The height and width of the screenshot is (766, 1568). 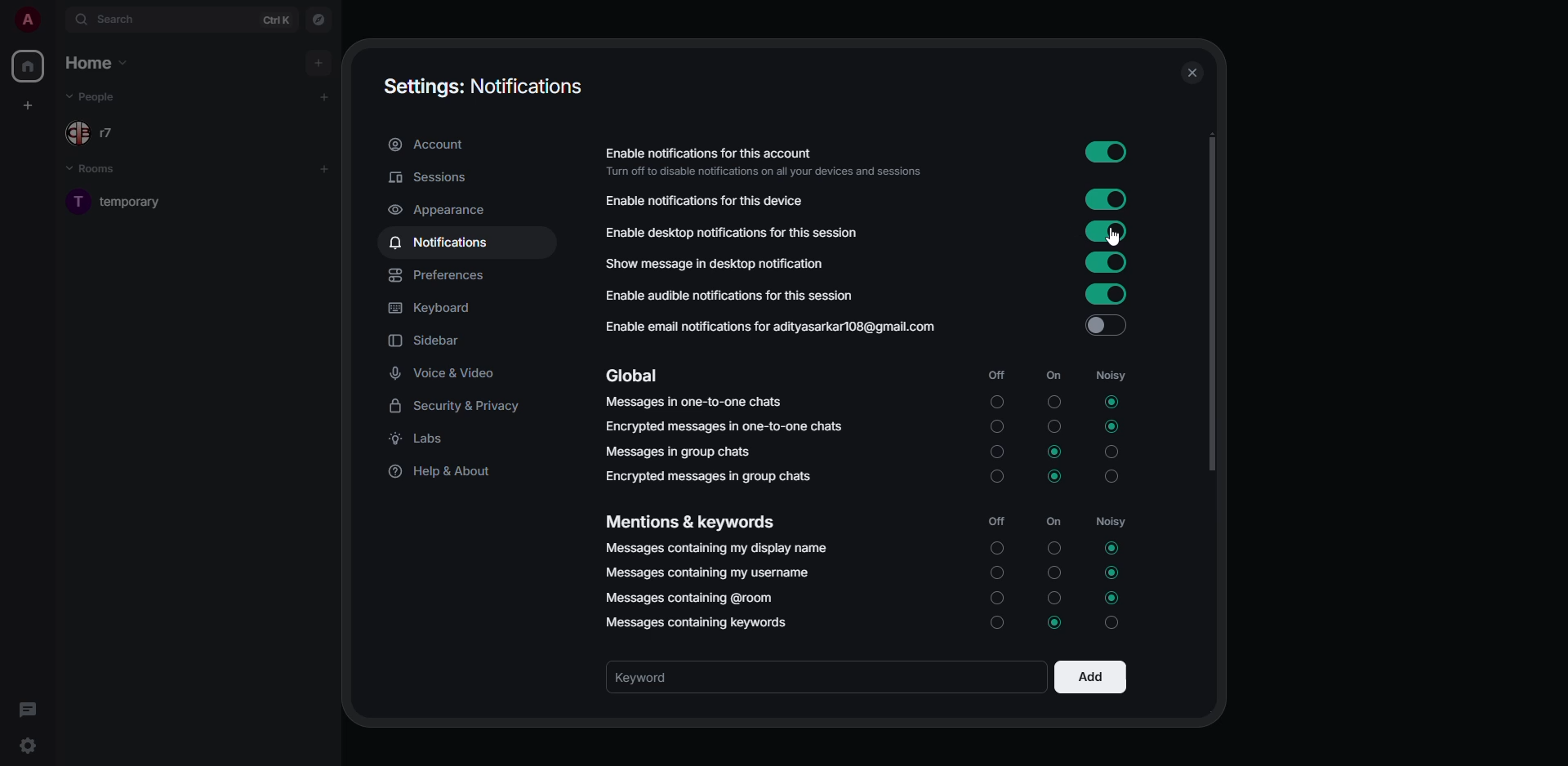 I want to click on messages containing name, so click(x=714, y=546).